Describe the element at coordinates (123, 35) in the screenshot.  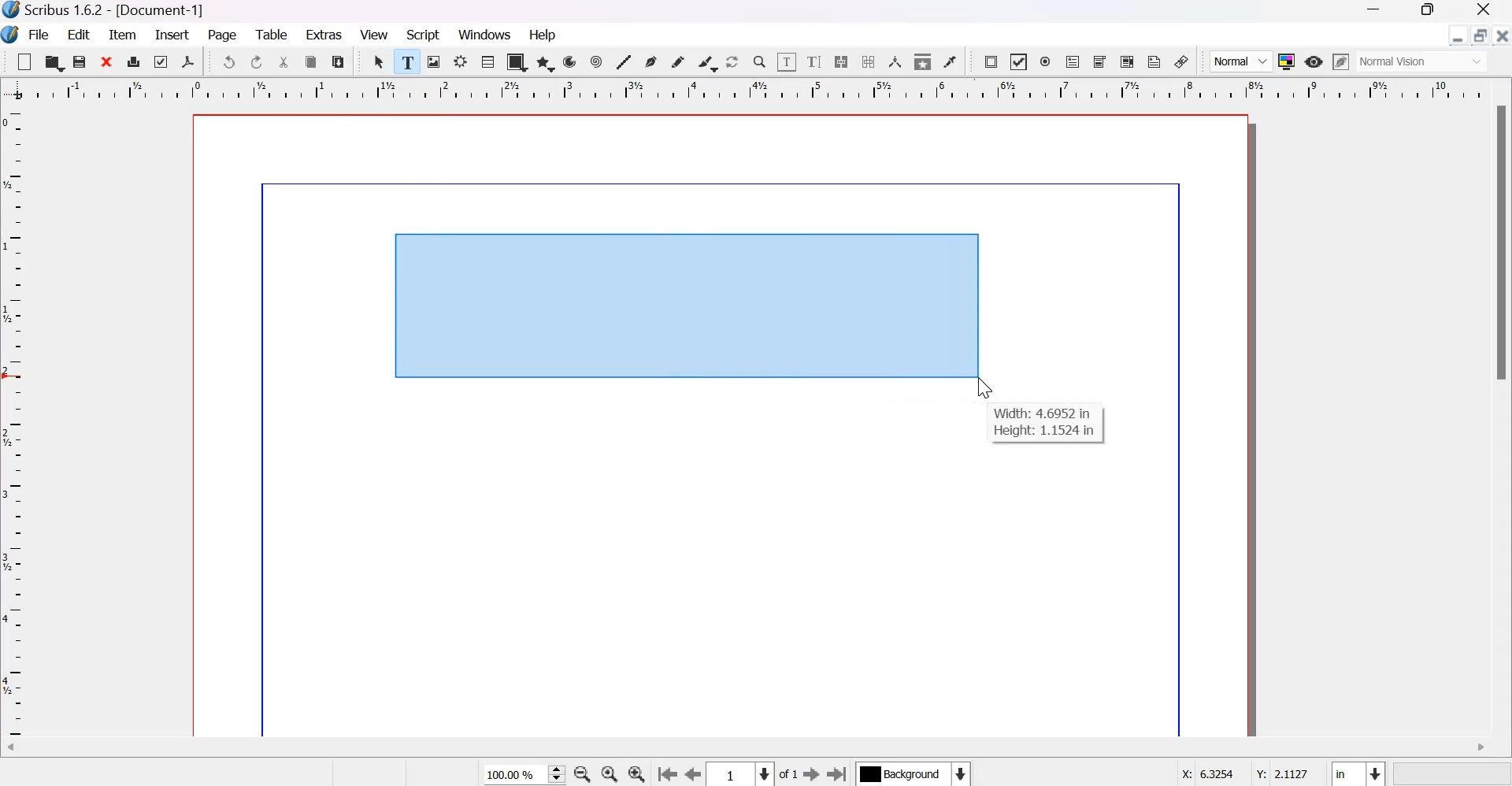
I see `Item` at that location.